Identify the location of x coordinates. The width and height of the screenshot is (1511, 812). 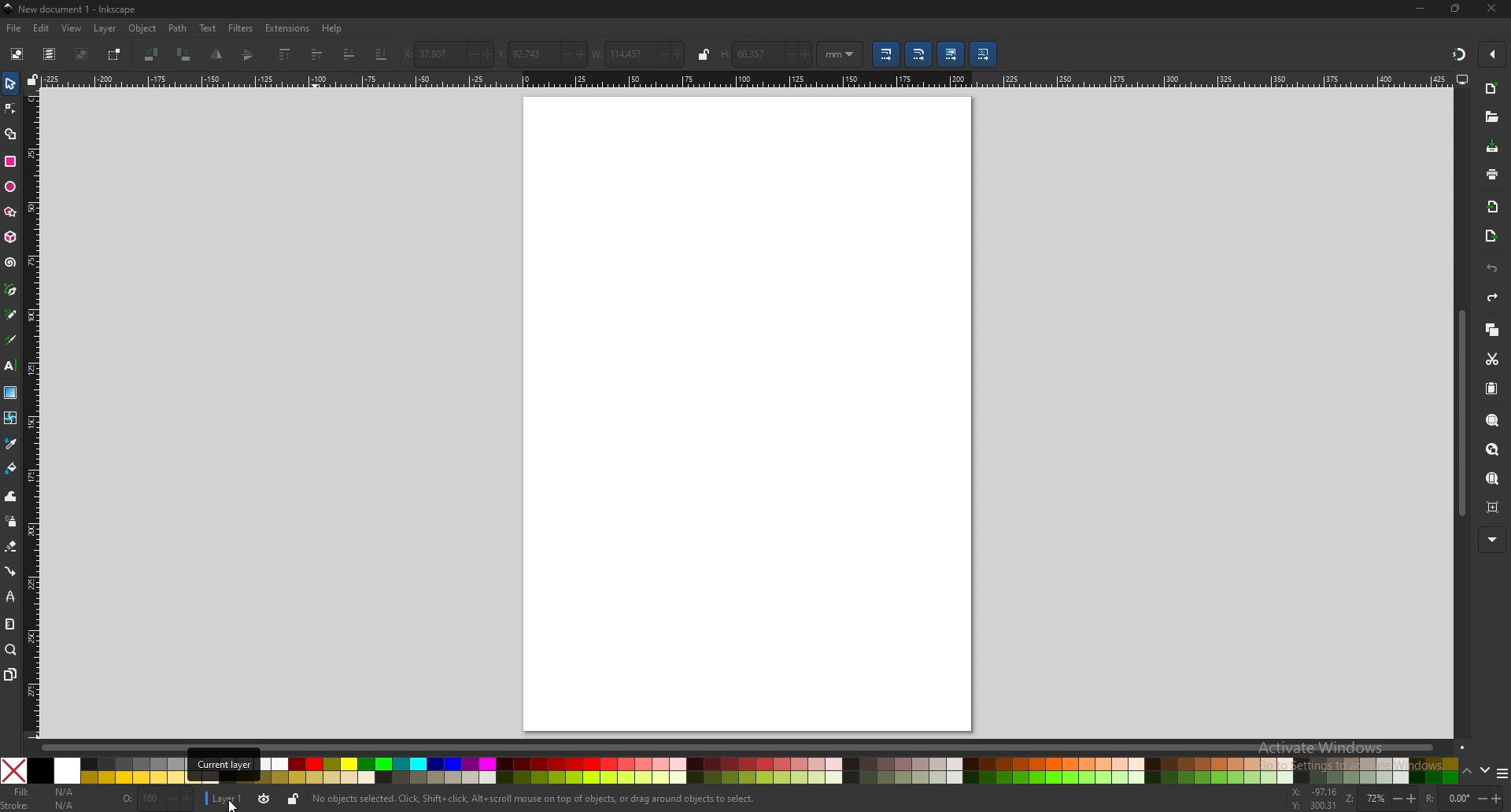
(427, 54).